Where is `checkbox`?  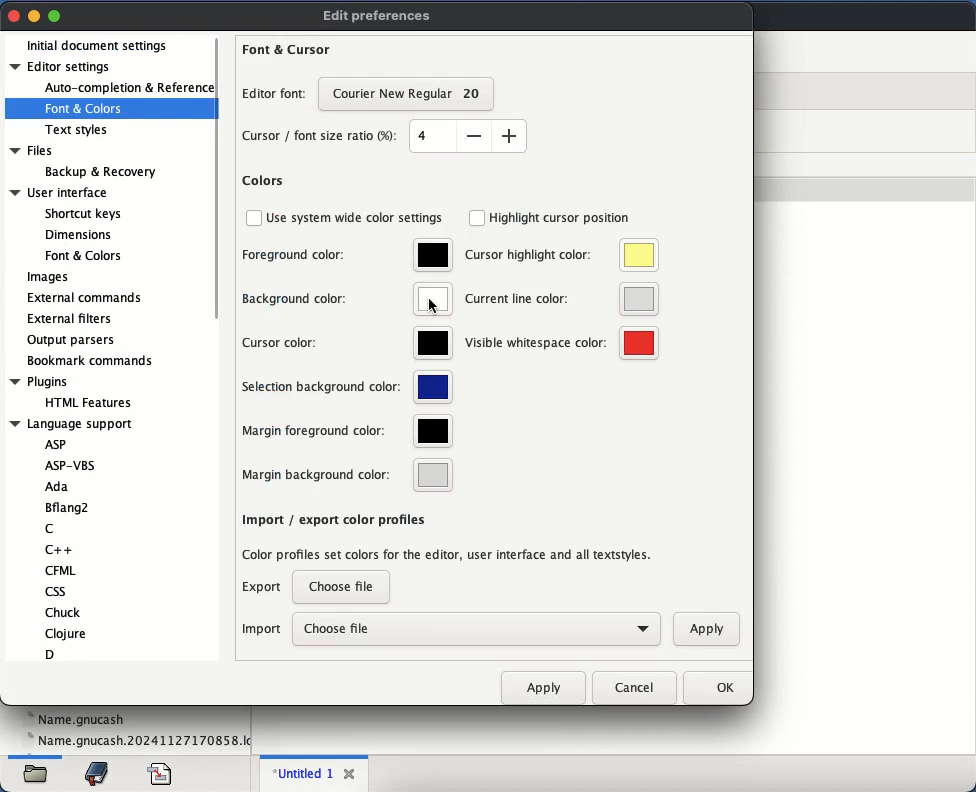
checkbox is located at coordinates (477, 218).